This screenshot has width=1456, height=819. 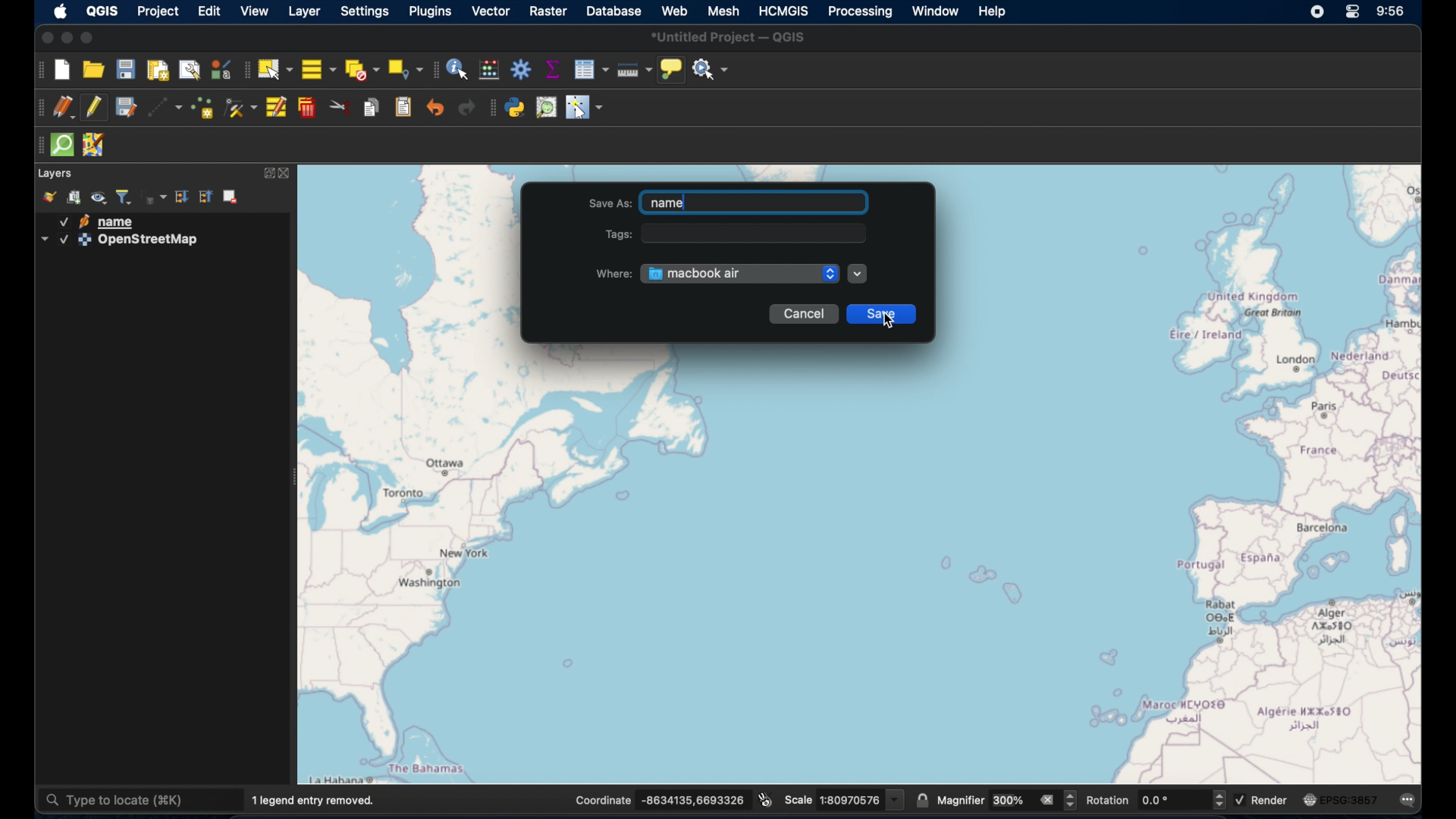 I want to click on window, so click(x=934, y=11).